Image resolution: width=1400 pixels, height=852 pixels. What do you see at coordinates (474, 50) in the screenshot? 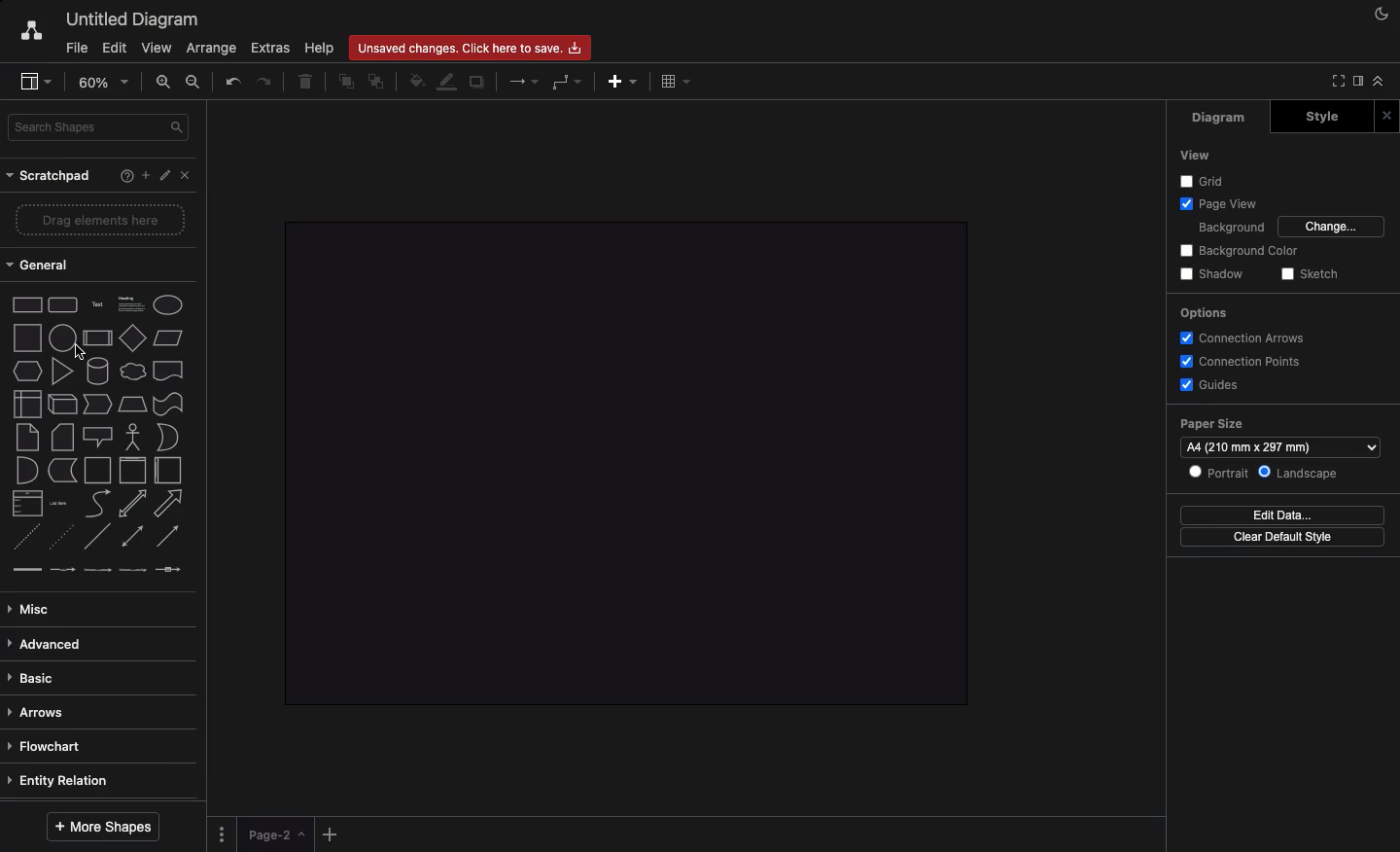
I see `Unsaved` at bounding box center [474, 50].